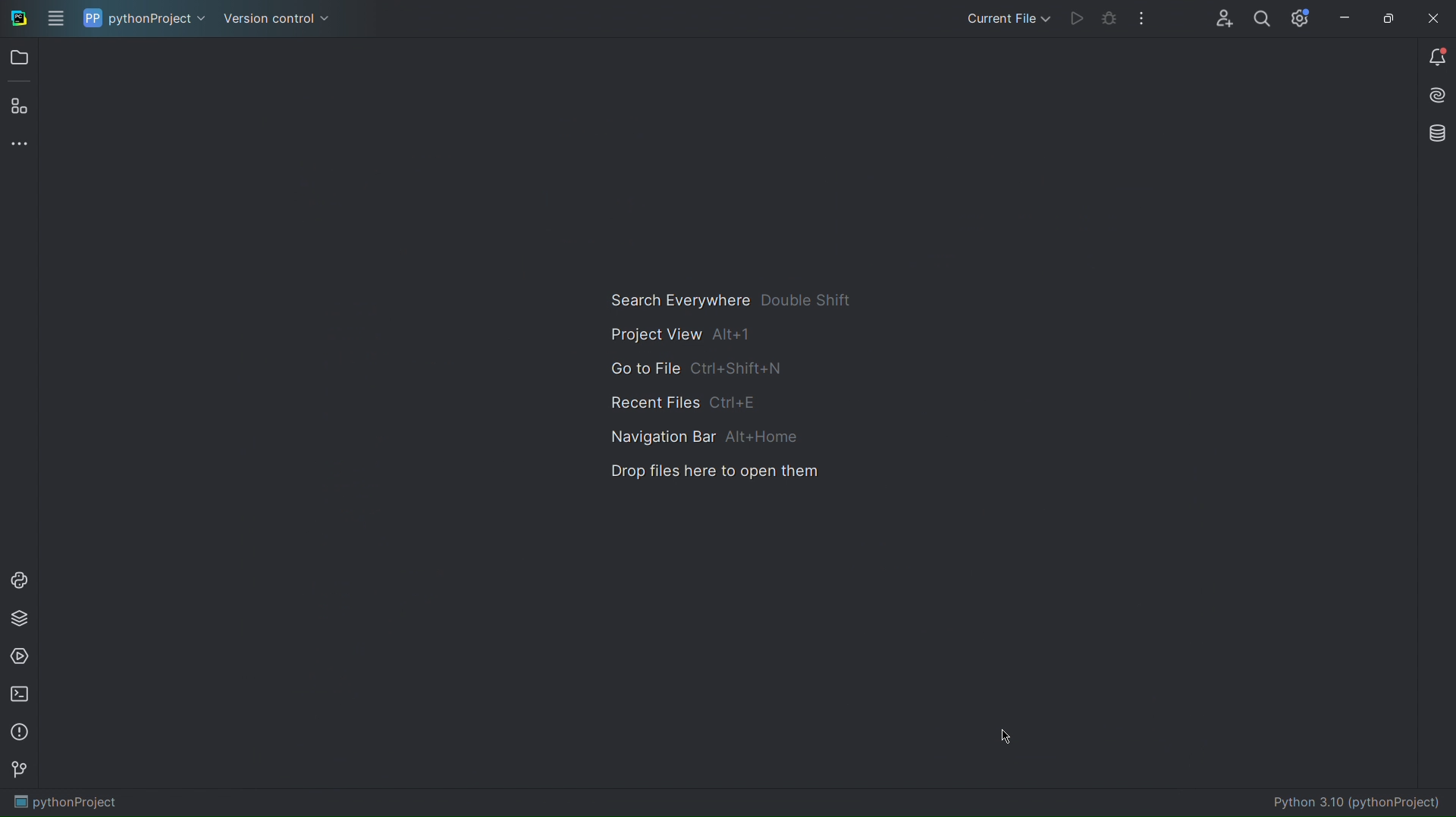 The image size is (1456, 817). I want to click on Drop files here to open them, so click(720, 471).